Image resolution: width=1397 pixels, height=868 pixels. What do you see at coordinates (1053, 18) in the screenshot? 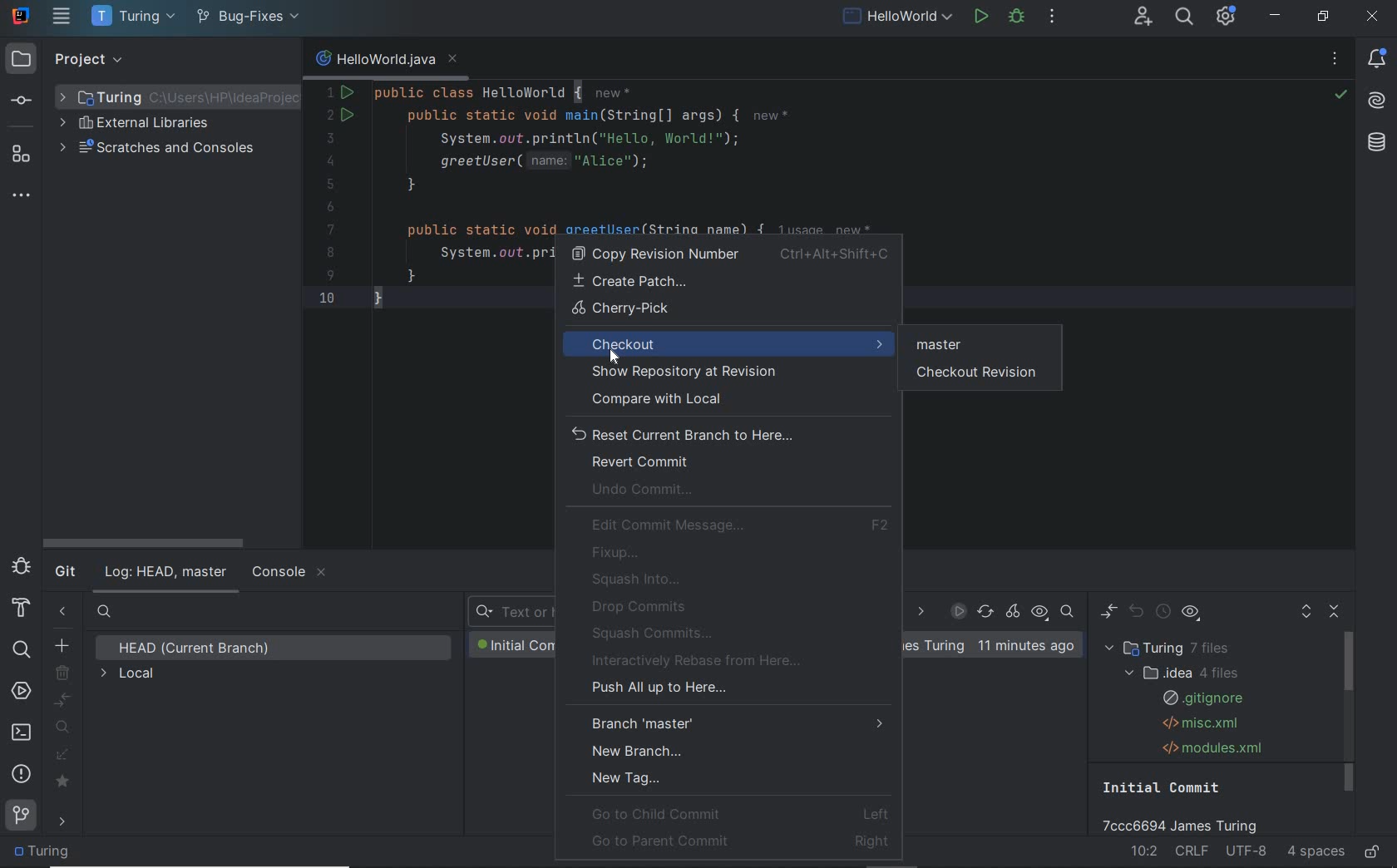
I see `more actions` at bounding box center [1053, 18].